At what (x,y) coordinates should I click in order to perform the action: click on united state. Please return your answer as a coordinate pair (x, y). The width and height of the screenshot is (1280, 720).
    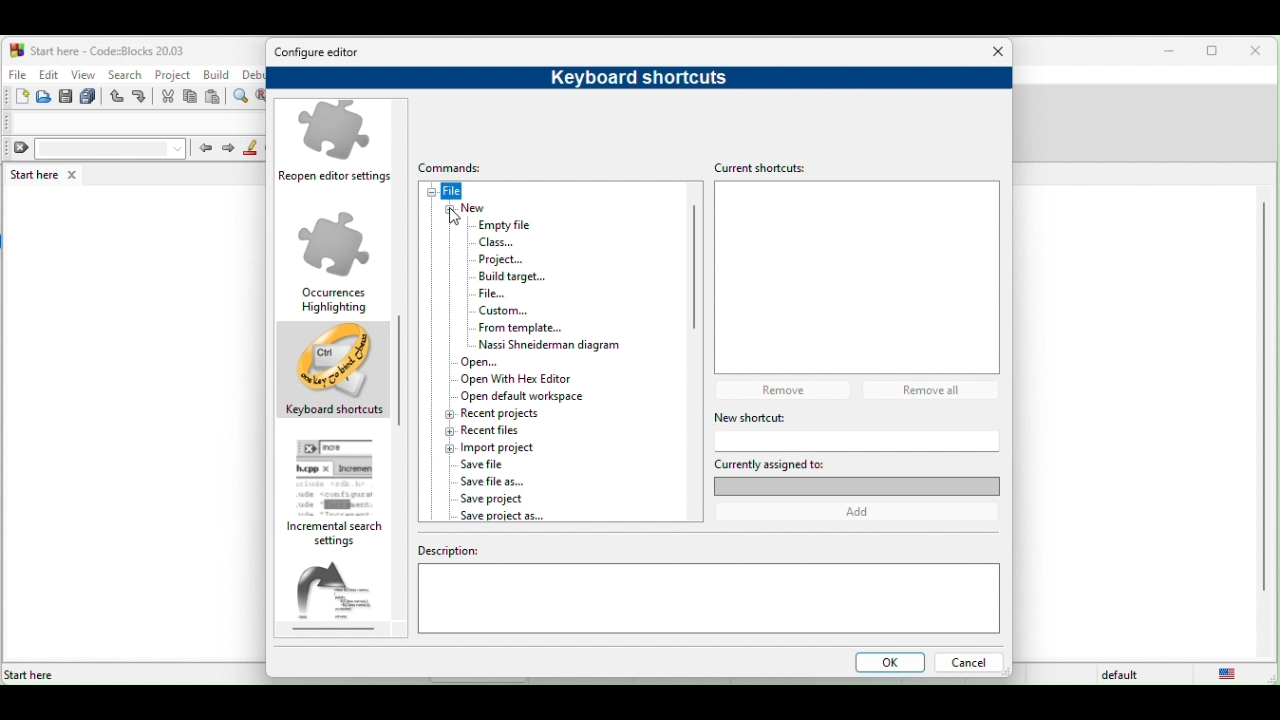
    Looking at the image, I should click on (1232, 674).